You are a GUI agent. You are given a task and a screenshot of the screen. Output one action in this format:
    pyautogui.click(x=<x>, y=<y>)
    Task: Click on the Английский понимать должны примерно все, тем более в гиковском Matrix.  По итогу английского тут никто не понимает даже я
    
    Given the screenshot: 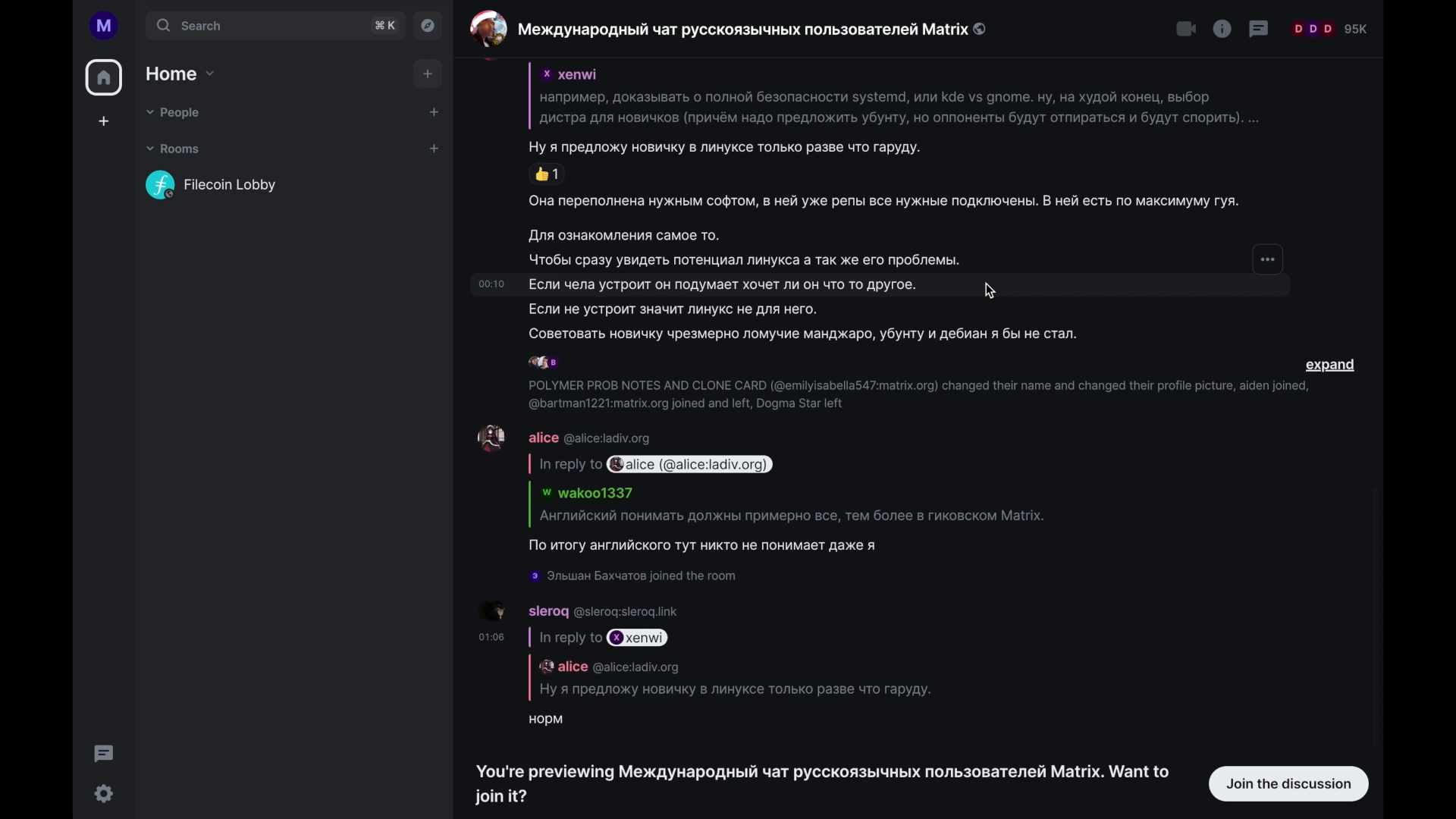 What is the action you would take?
    pyautogui.click(x=789, y=531)
    